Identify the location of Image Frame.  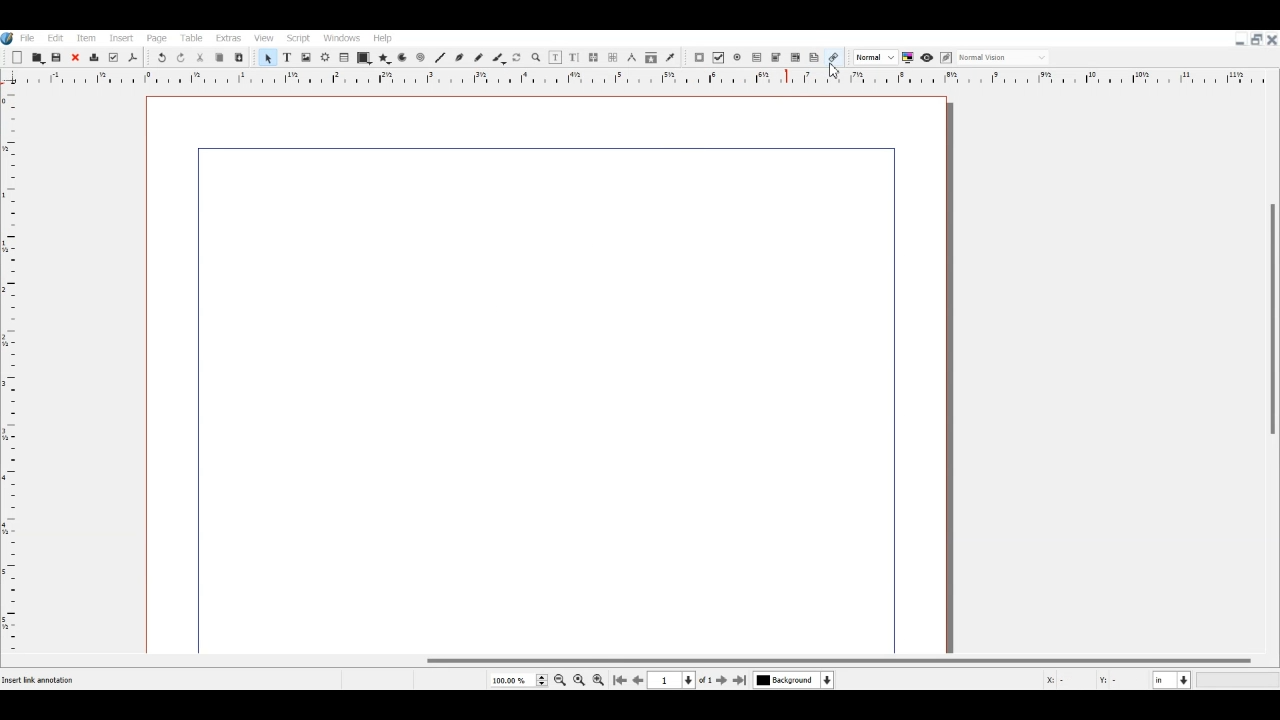
(306, 57).